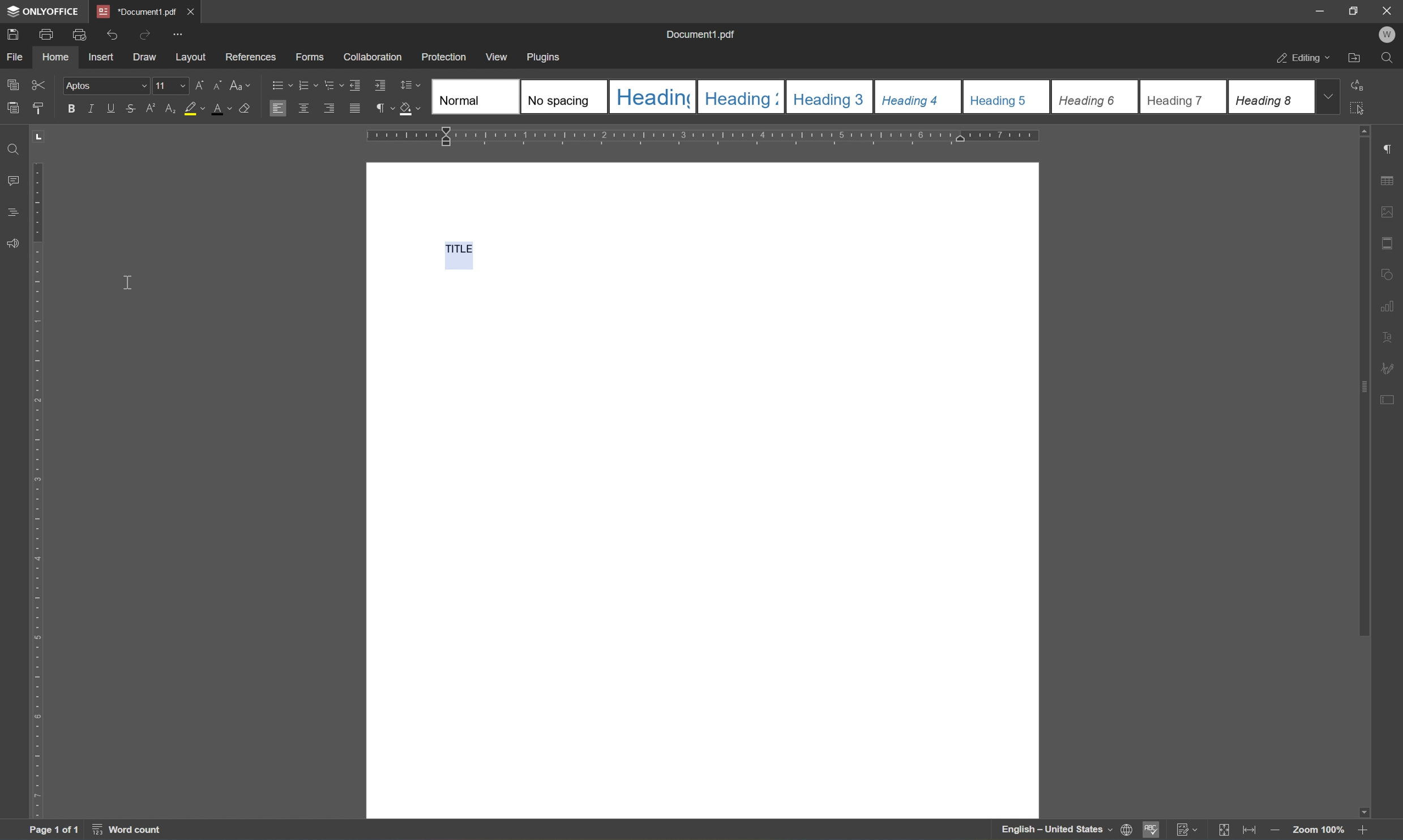 This screenshot has width=1403, height=840. What do you see at coordinates (195, 109) in the screenshot?
I see `highlight color` at bounding box center [195, 109].